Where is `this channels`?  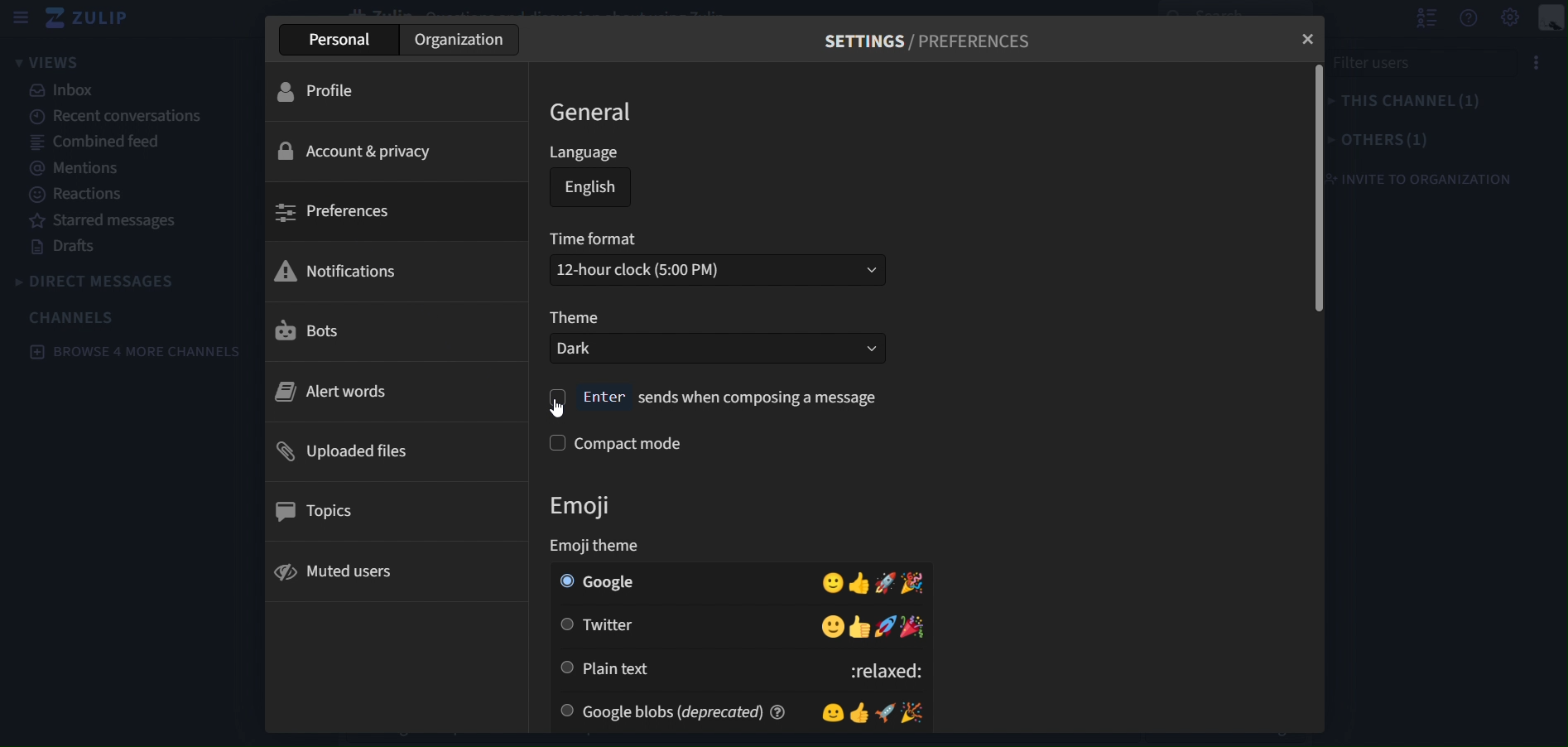 this channels is located at coordinates (1416, 102).